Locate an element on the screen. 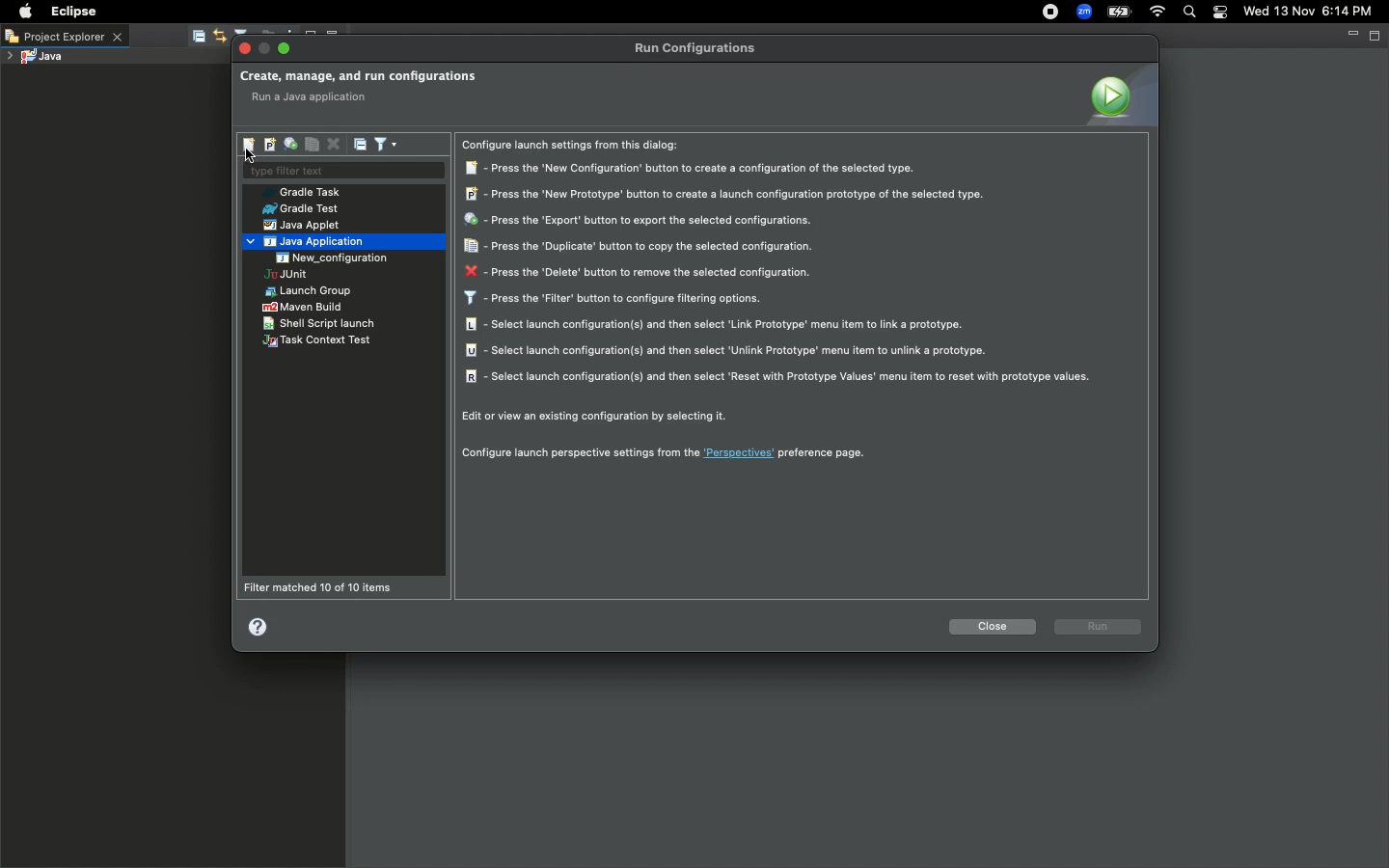 The width and height of the screenshot is (1389, 868). Filter launch configurations is located at coordinates (385, 143).